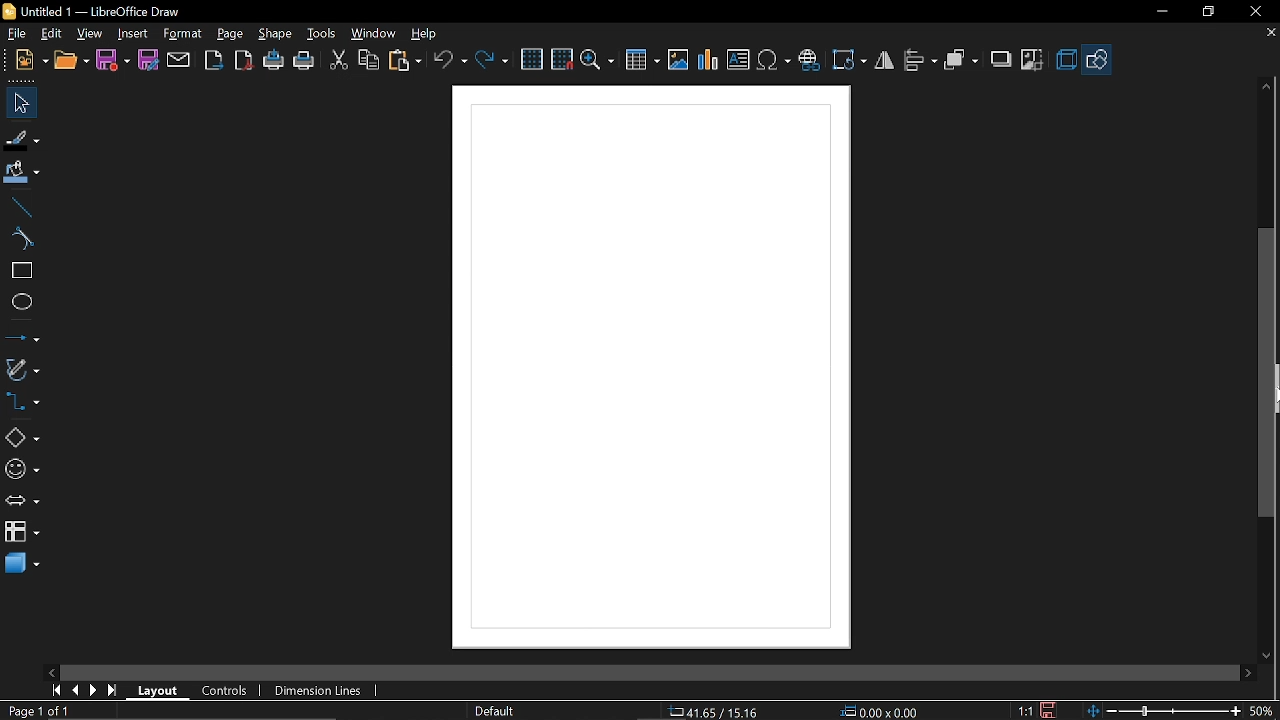  Describe the element at coordinates (274, 60) in the screenshot. I see `print directly` at that location.